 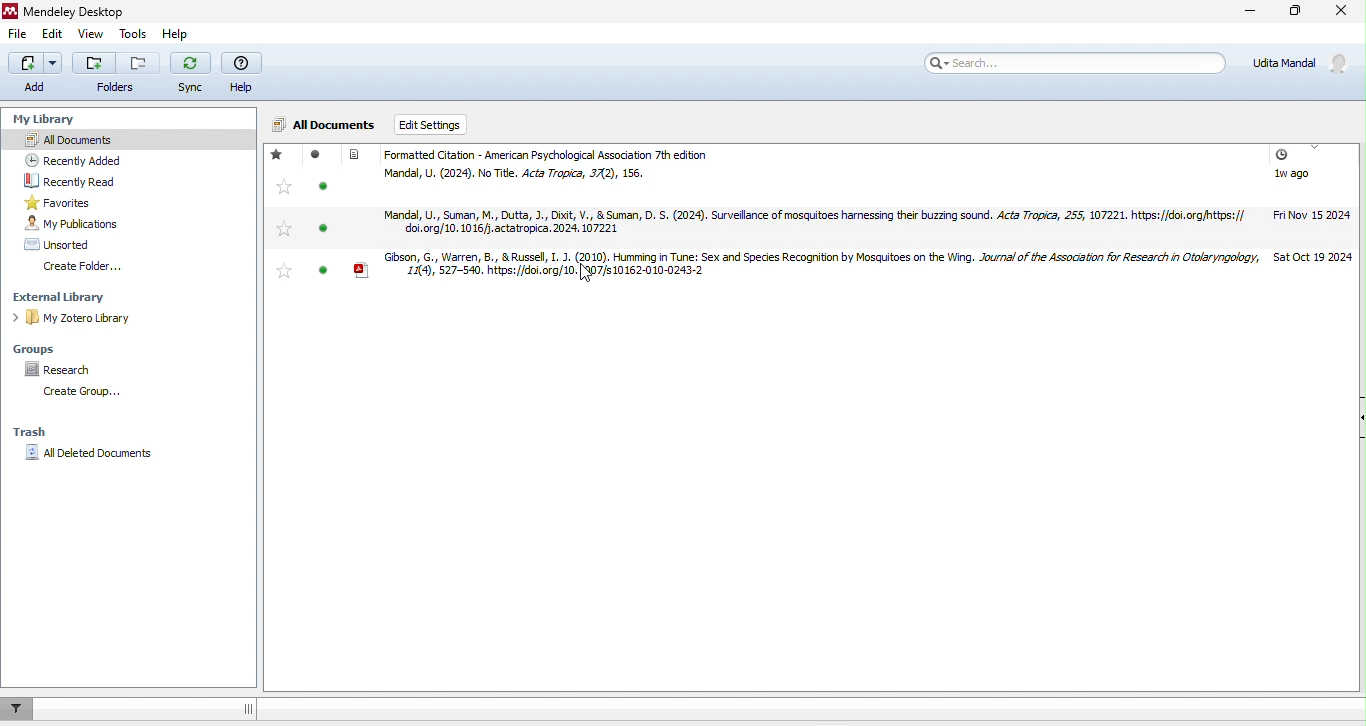 What do you see at coordinates (94, 33) in the screenshot?
I see `view` at bounding box center [94, 33].